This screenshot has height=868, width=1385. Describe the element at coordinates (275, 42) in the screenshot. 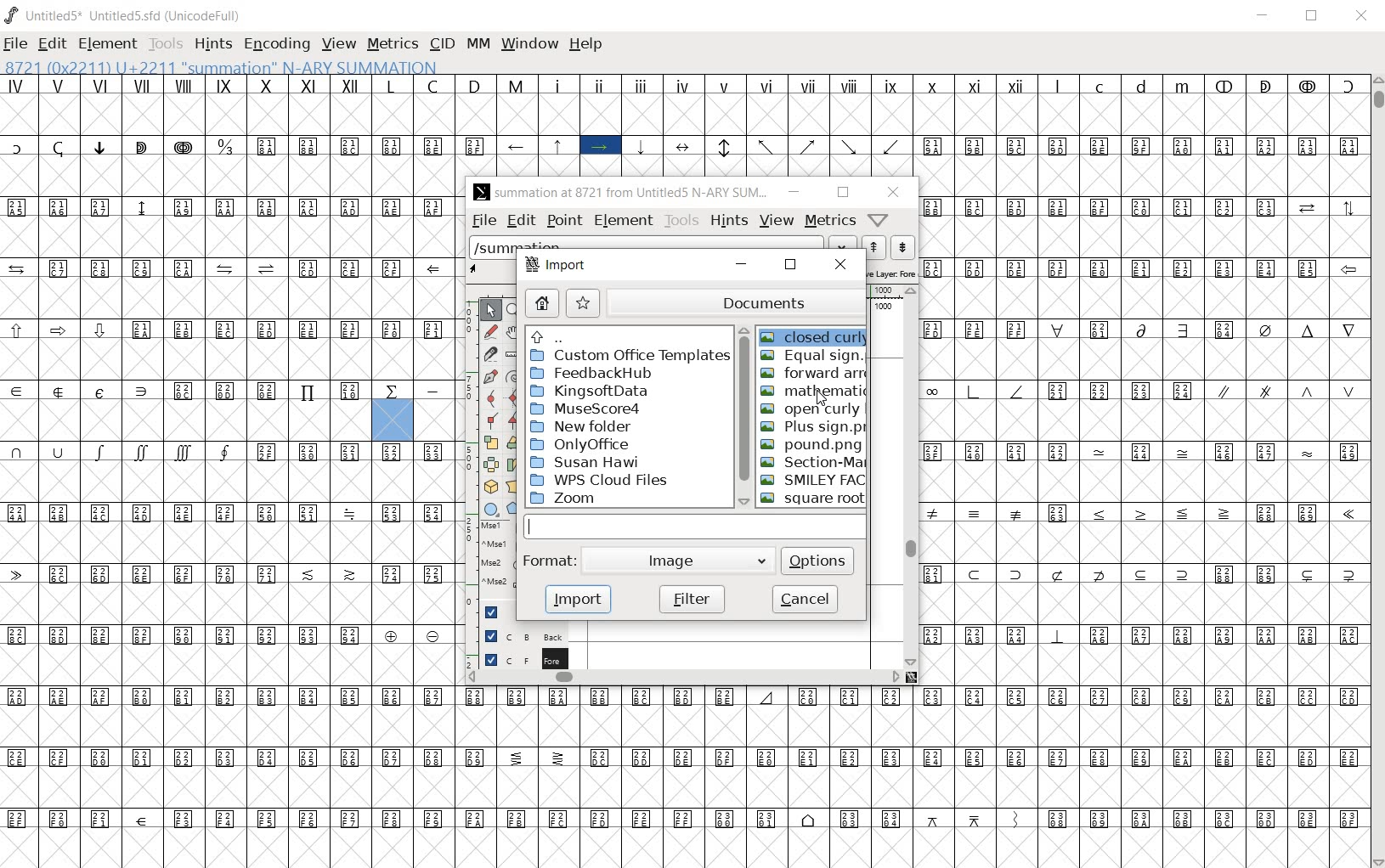

I see `ENCODING` at that location.